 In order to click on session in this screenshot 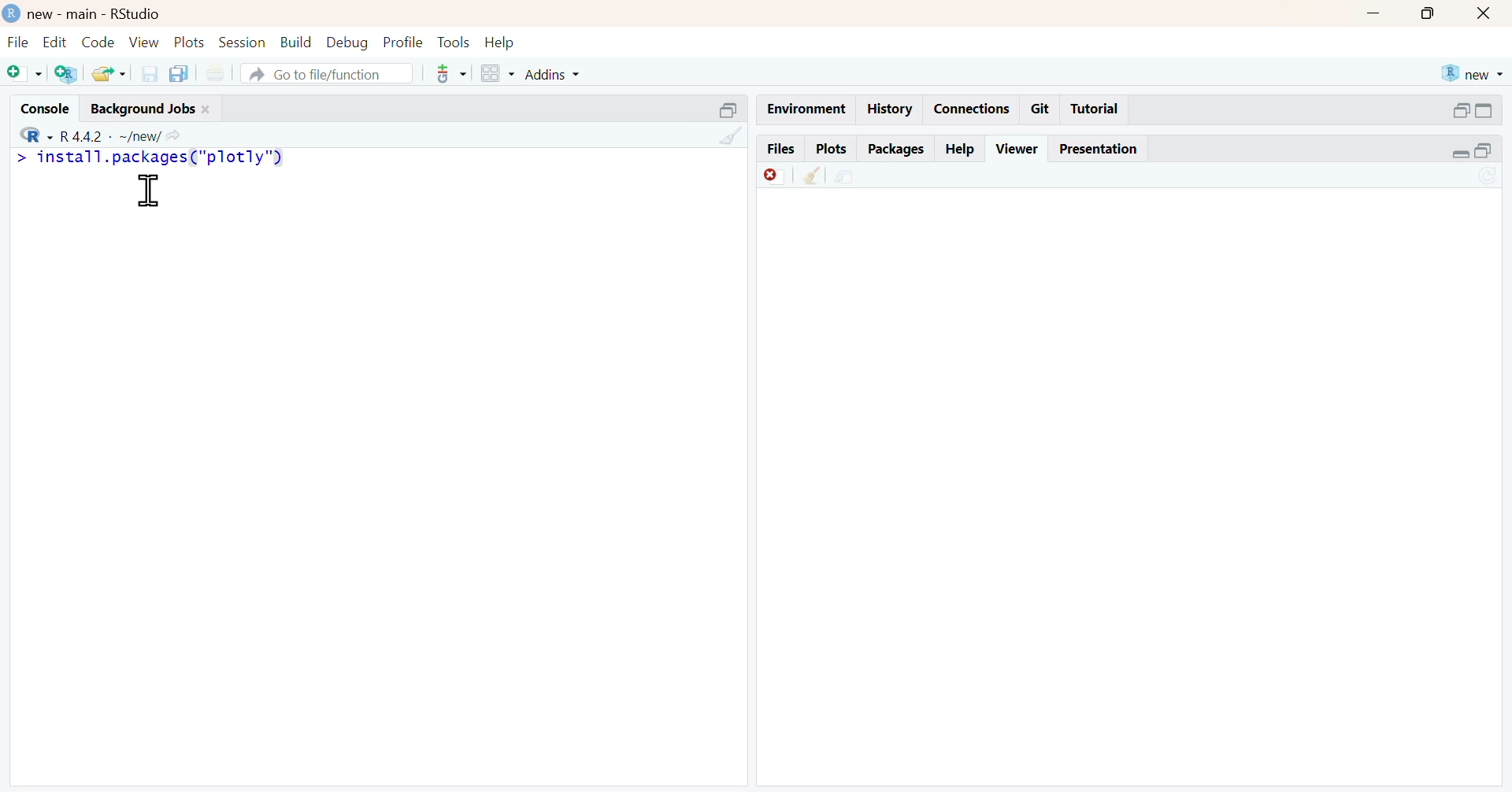, I will do `click(244, 43)`.